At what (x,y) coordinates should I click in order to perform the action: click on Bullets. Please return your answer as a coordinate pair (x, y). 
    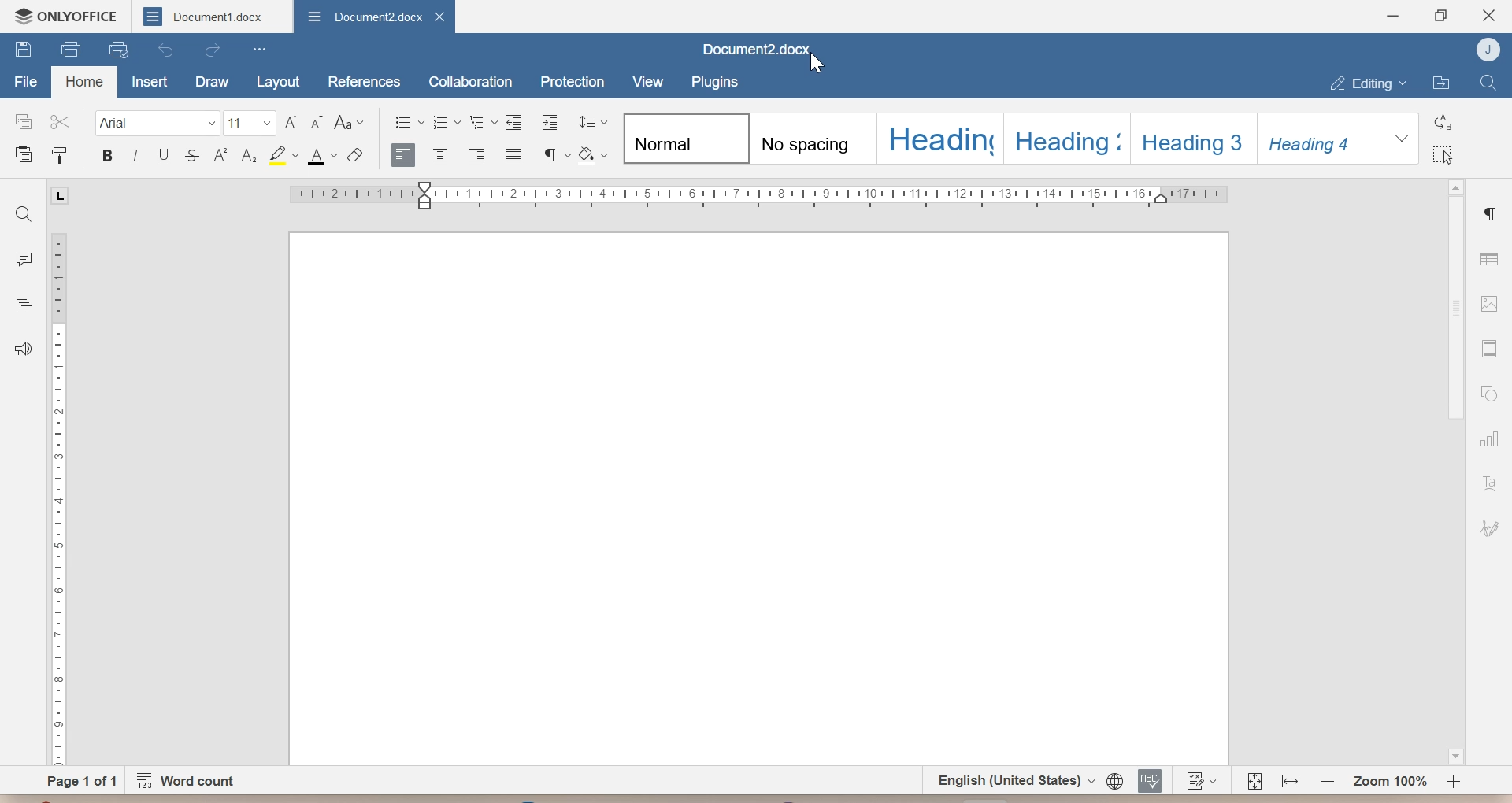
    Looking at the image, I should click on (409, 123).